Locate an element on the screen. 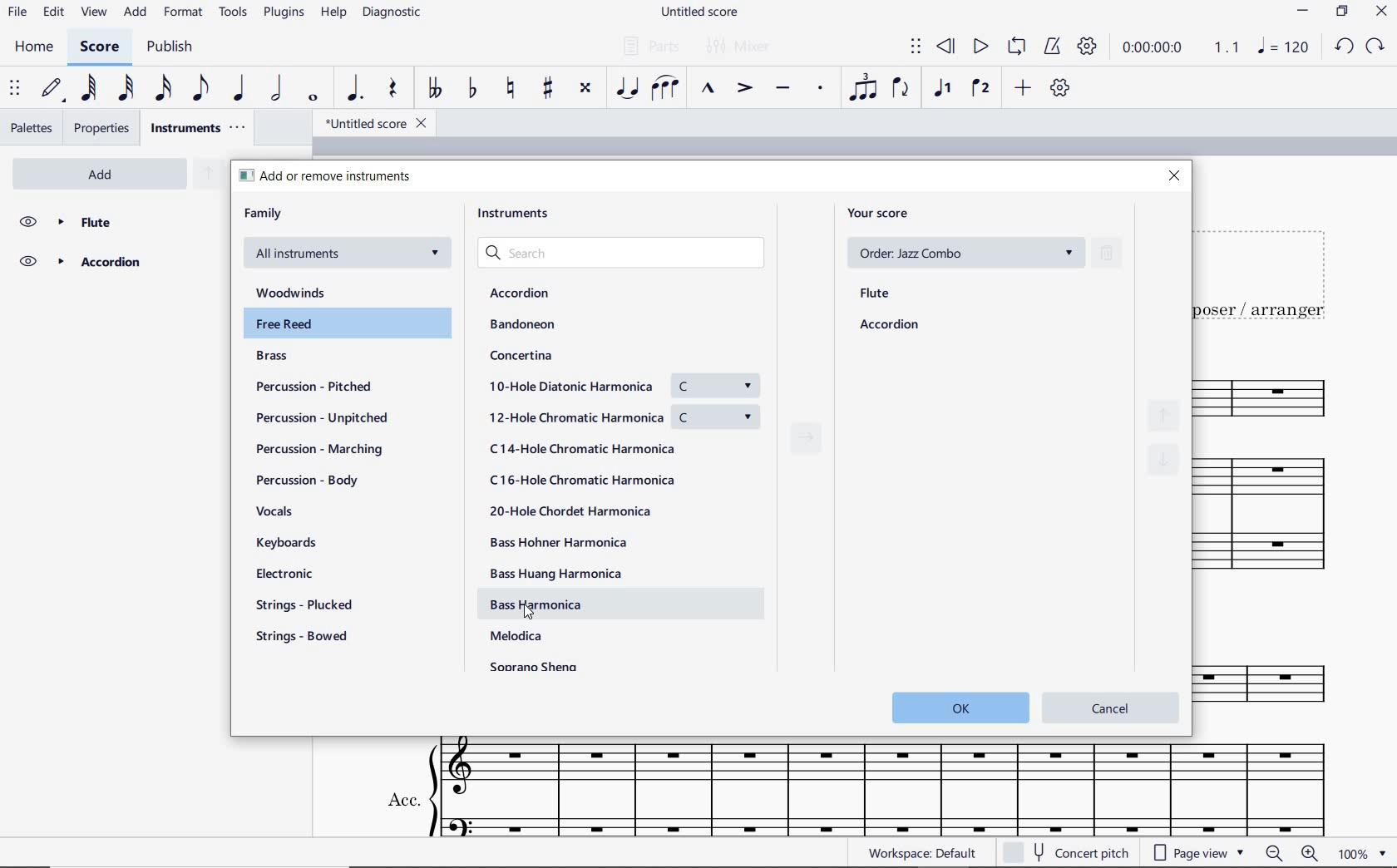 The image size is (1397, 868). playback settings is located at coordinates (1086, 47).